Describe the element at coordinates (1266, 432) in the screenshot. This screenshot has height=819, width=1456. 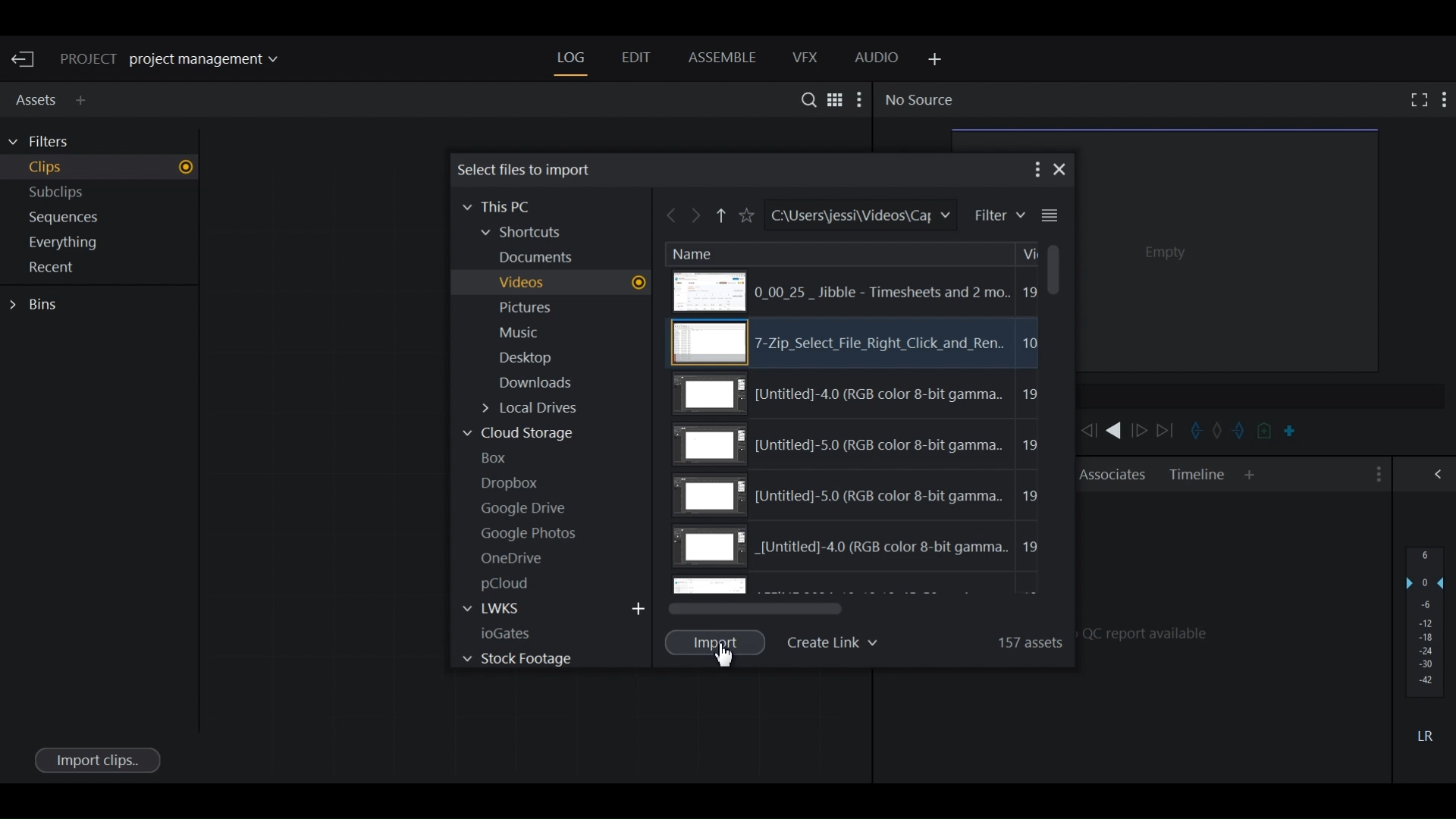
I see `Add cue` at that location.